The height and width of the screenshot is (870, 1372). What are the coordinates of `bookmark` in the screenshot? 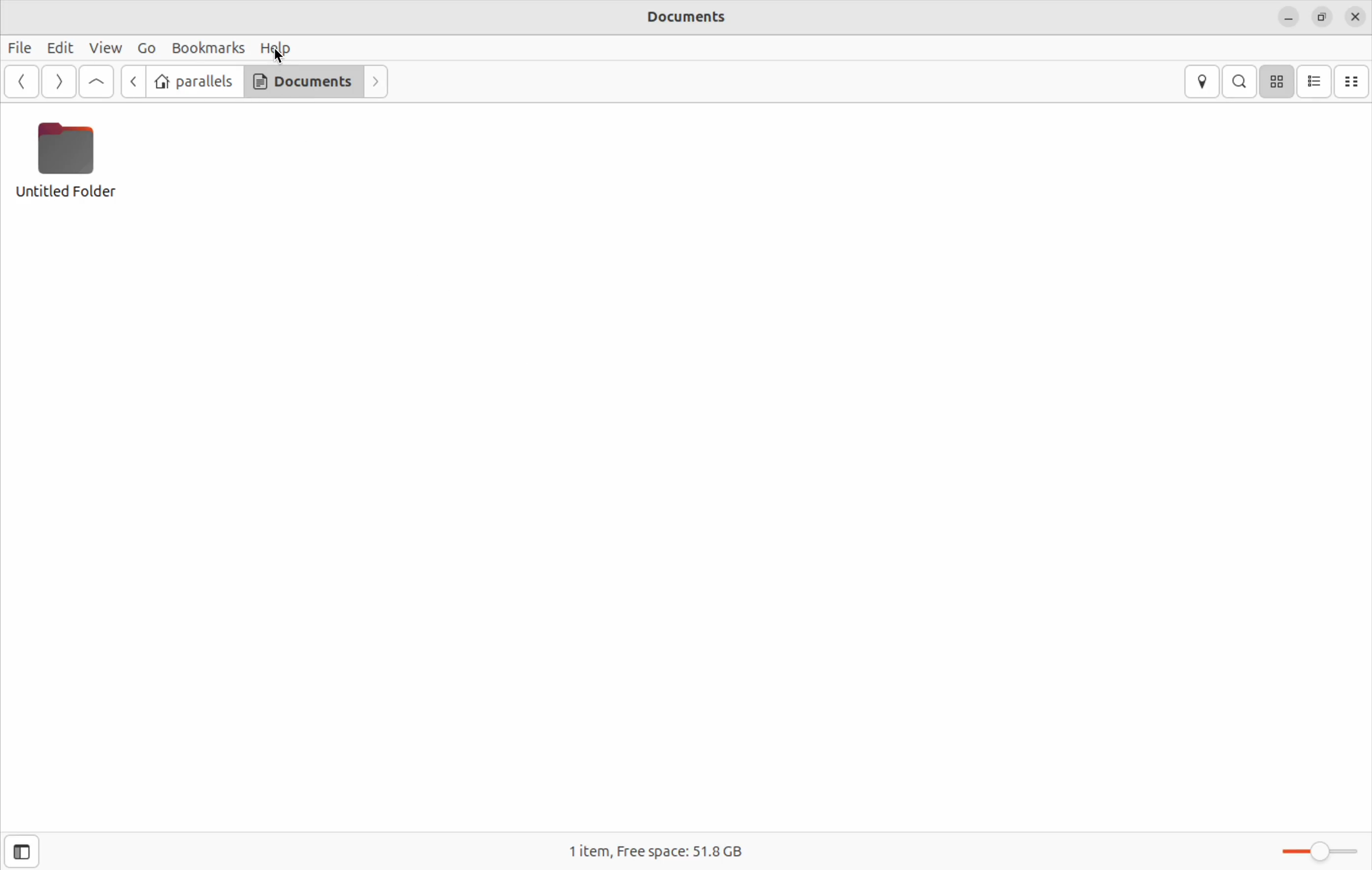 It's located at (208, 47).